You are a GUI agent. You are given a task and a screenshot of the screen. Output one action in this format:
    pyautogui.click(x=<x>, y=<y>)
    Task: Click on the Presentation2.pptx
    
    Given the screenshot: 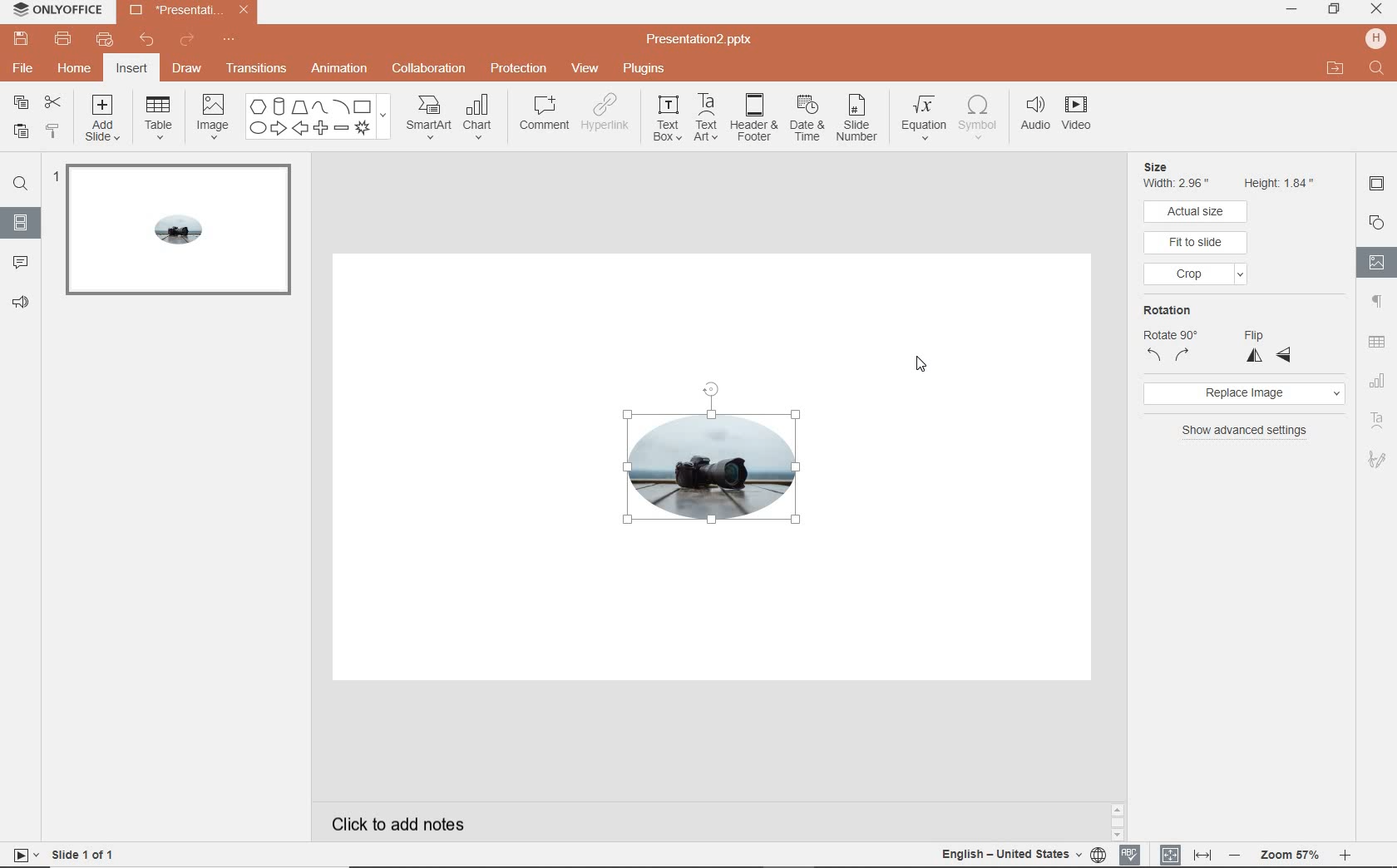 What is the action you would take?
    pyautogui.click(x=185, y=12)
    